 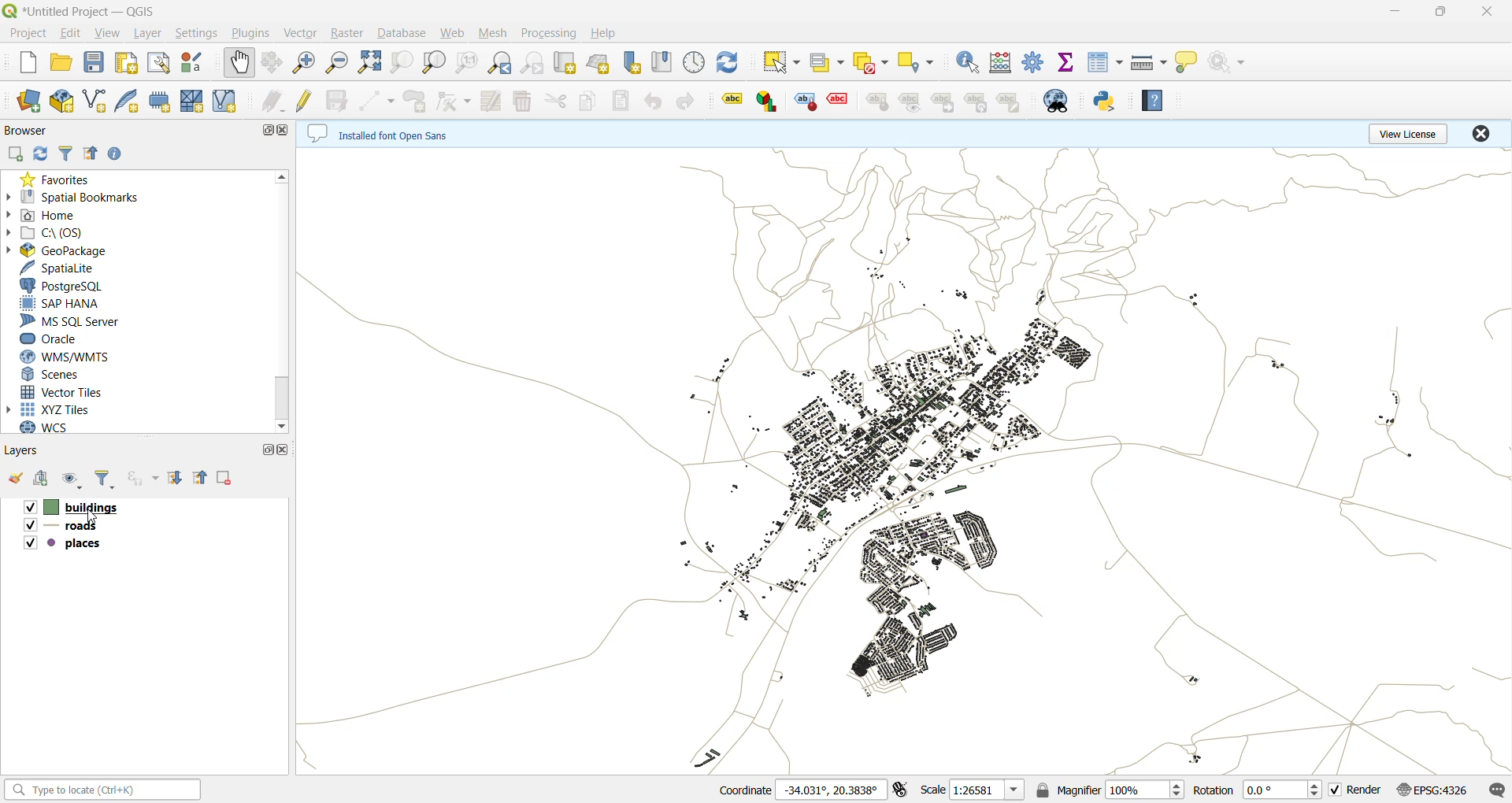 What do you see at coordinates (654, 102) in the screenshot?
I see `undo` at bounding box center [654, 102].